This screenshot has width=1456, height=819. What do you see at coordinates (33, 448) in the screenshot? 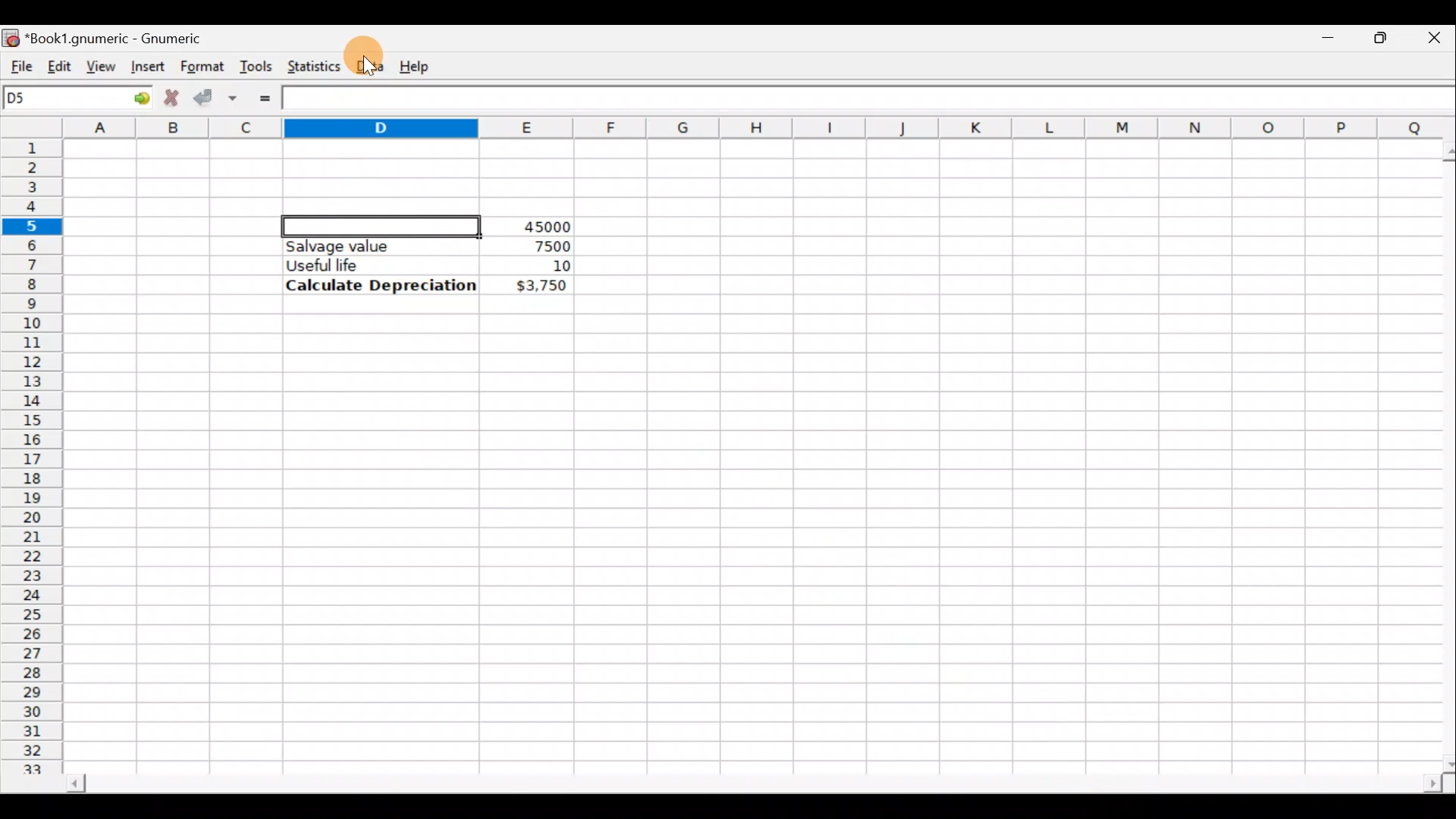
I see `Rows` at bounding box center [33, 448].